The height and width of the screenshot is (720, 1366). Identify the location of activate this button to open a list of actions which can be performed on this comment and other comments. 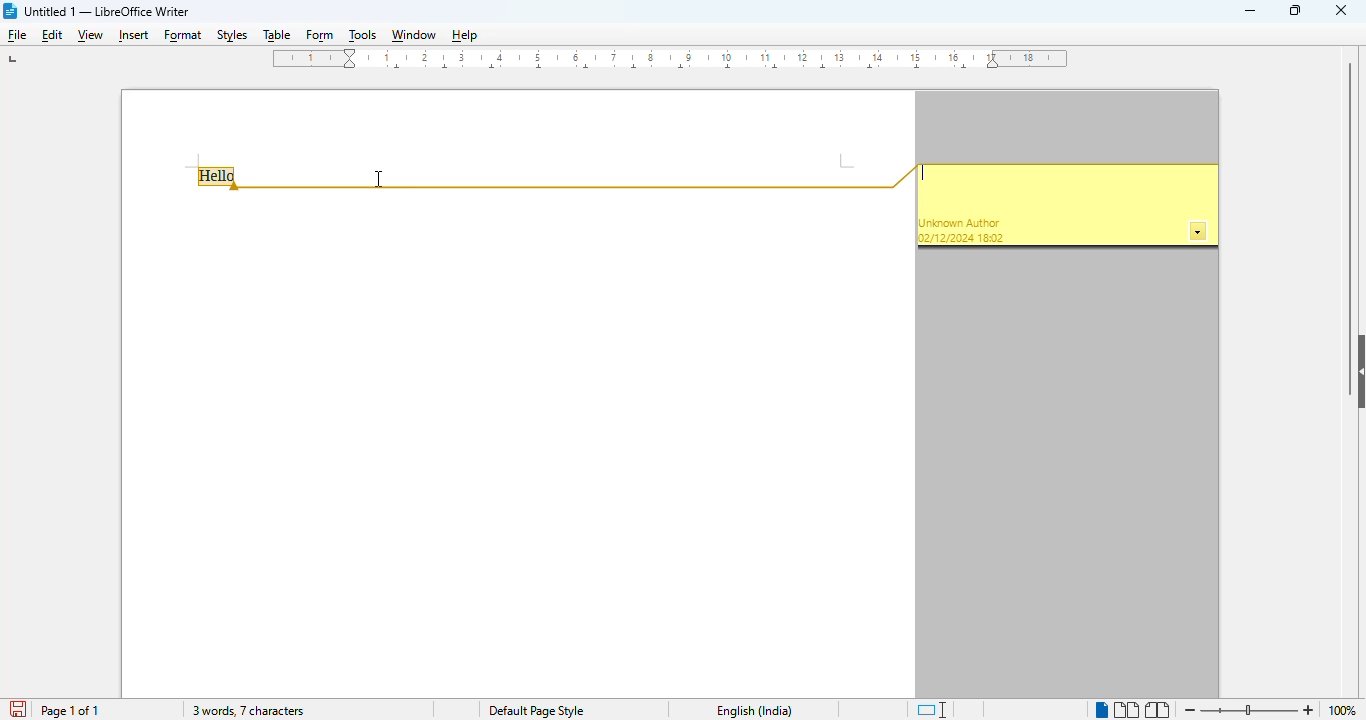
(1199, 232).